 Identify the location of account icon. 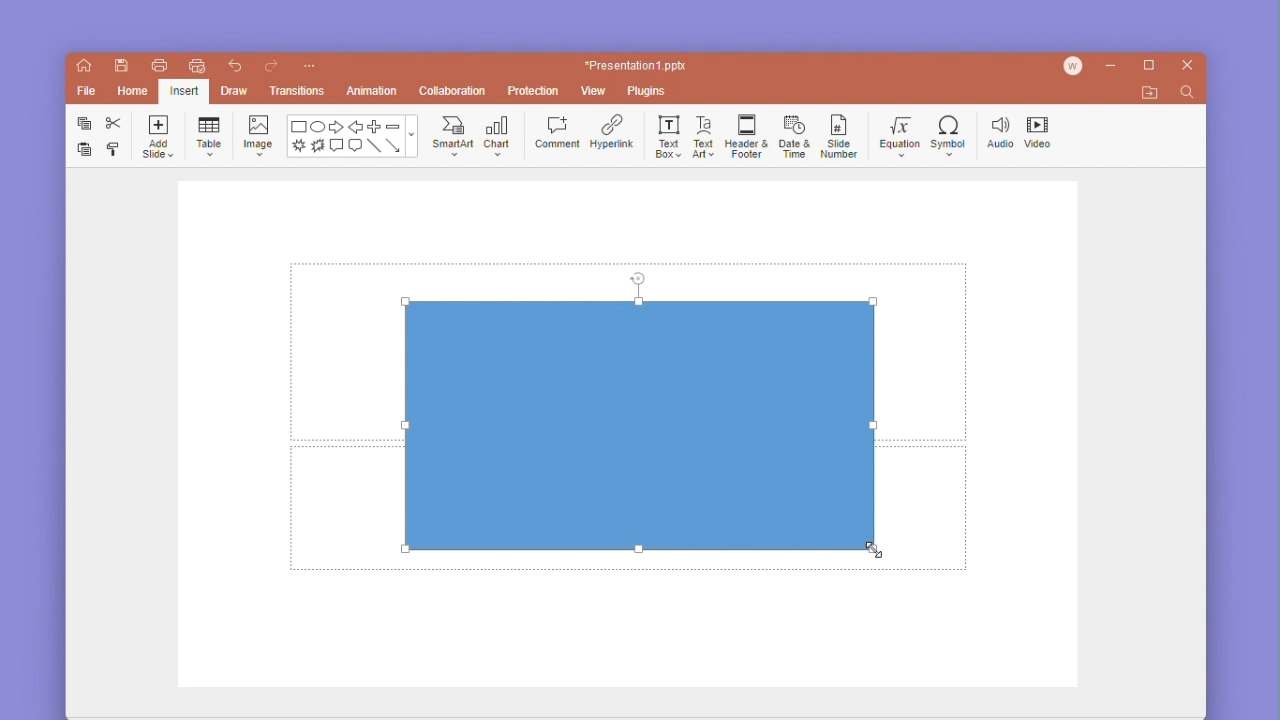
(1075, 67).